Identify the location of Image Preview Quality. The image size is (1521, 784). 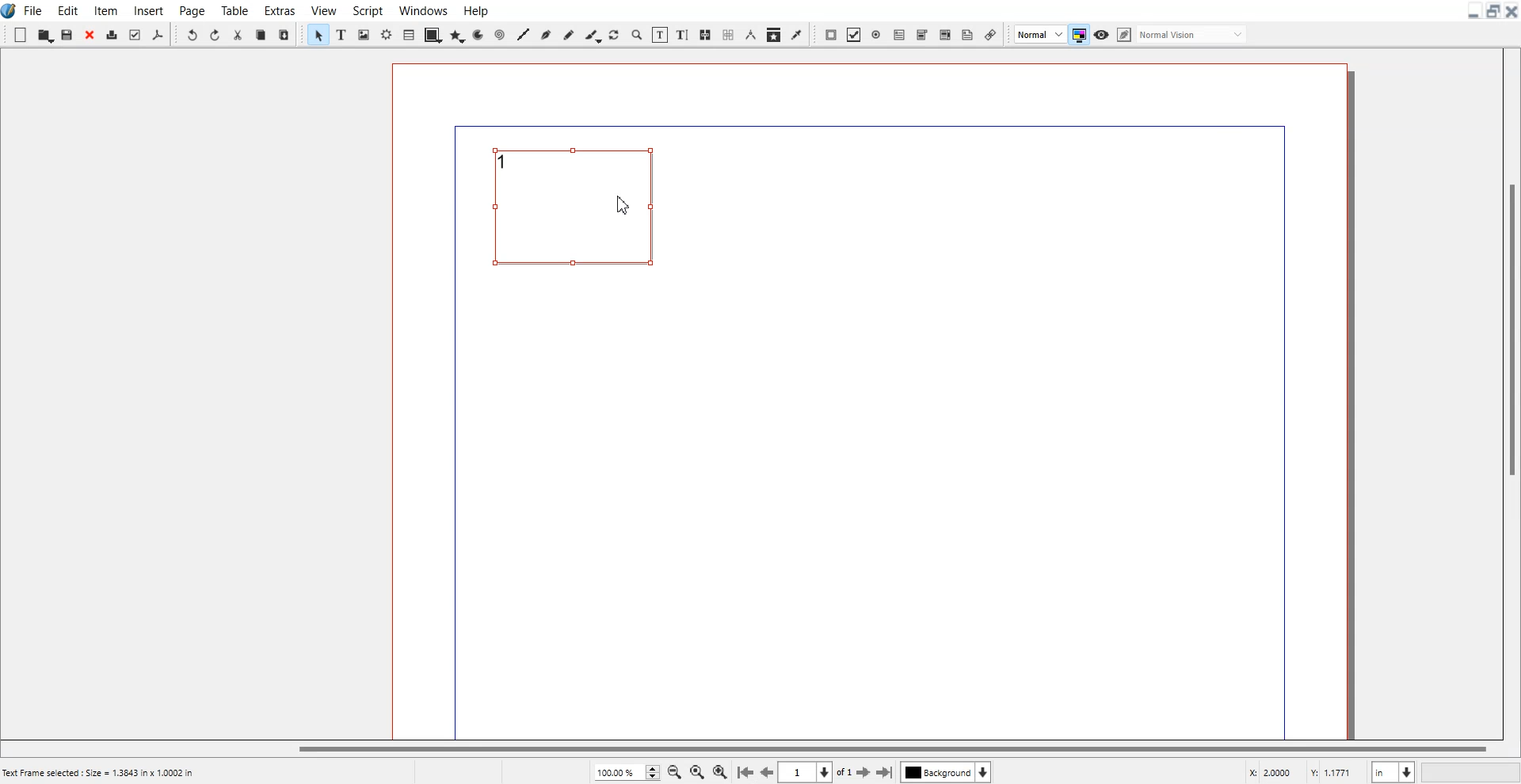
(1039, 33).